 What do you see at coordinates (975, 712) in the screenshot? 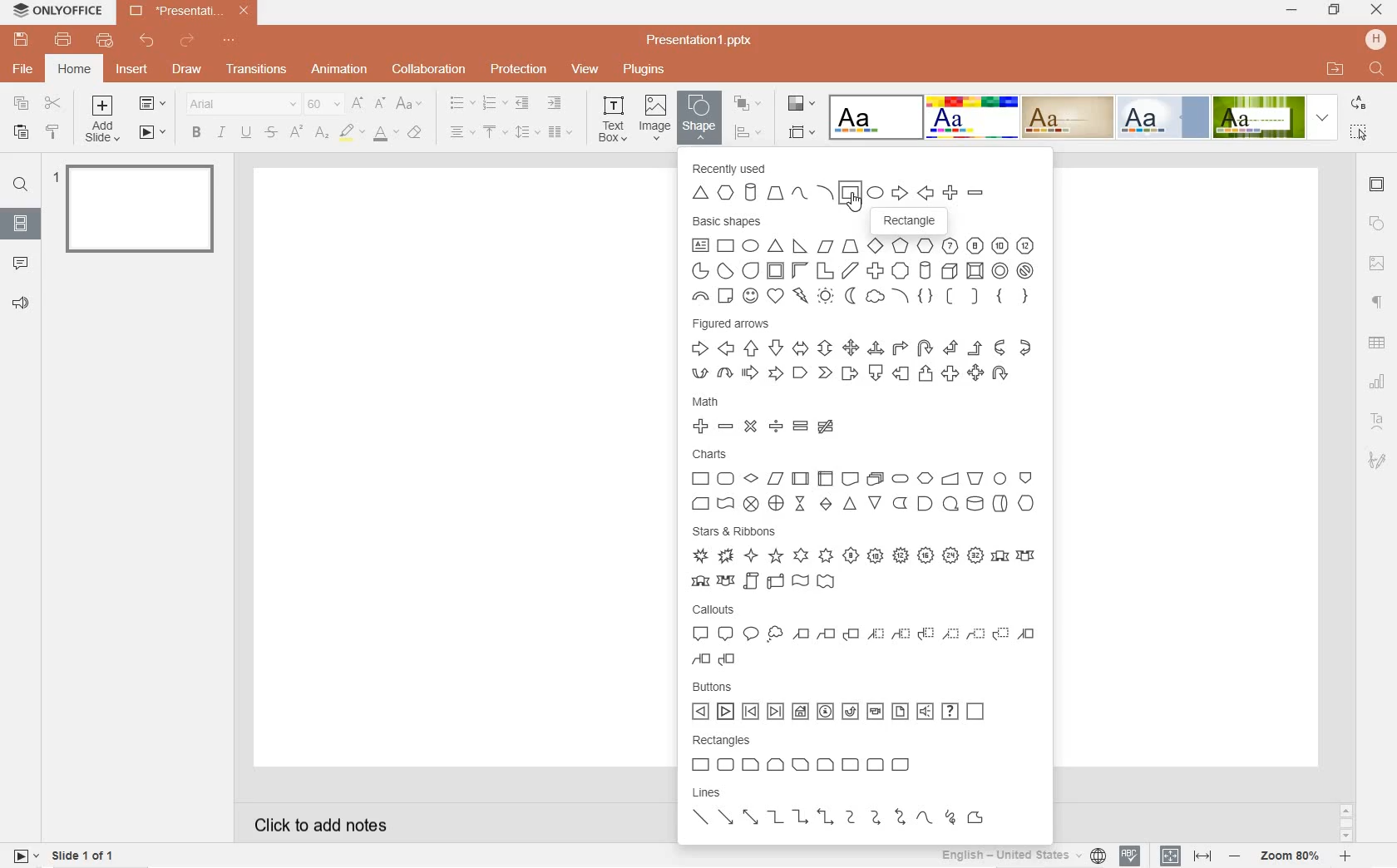
I see `Blank button` at bounding box center [975, 712].